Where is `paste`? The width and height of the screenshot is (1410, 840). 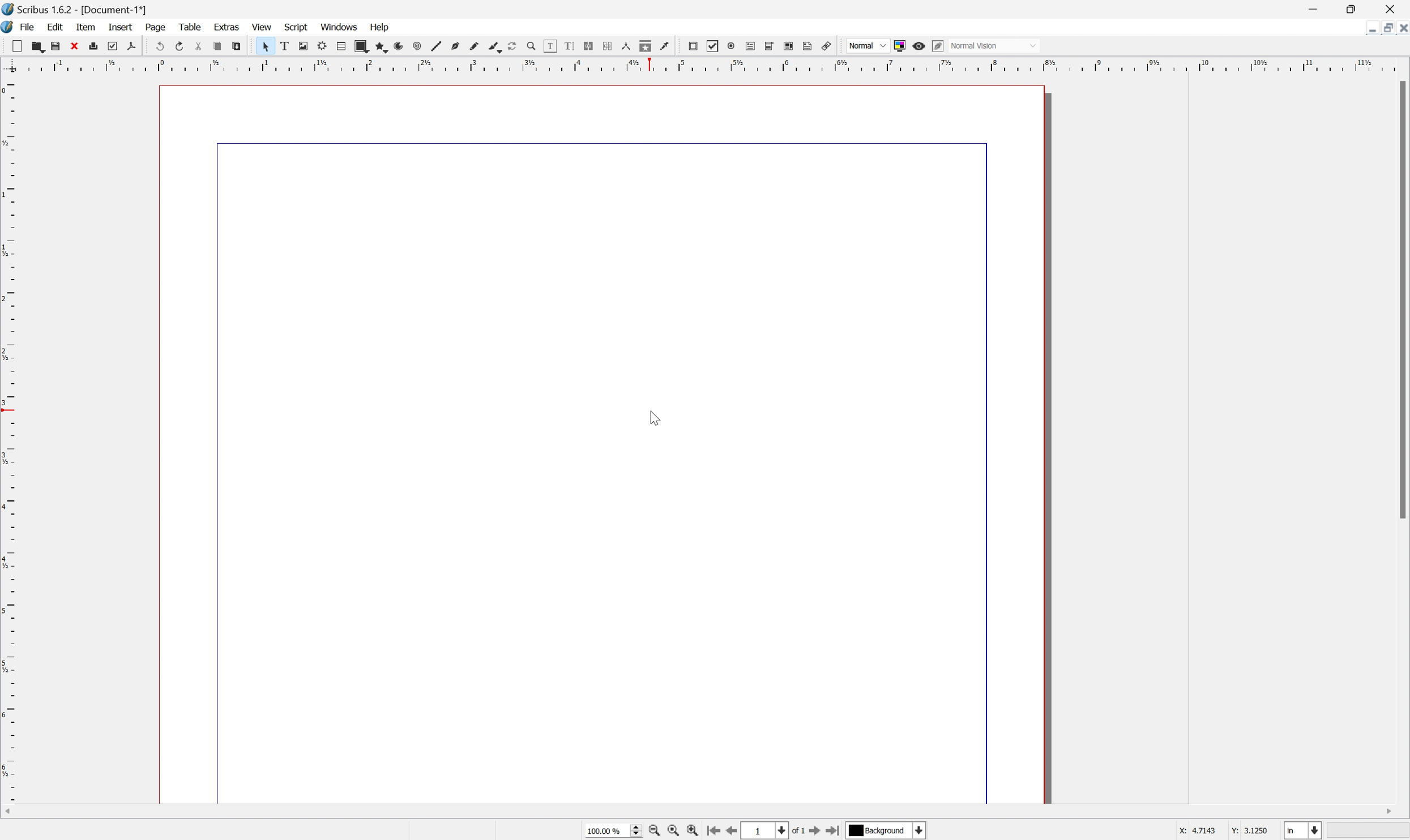 paste is located at coordinates (240, 47).